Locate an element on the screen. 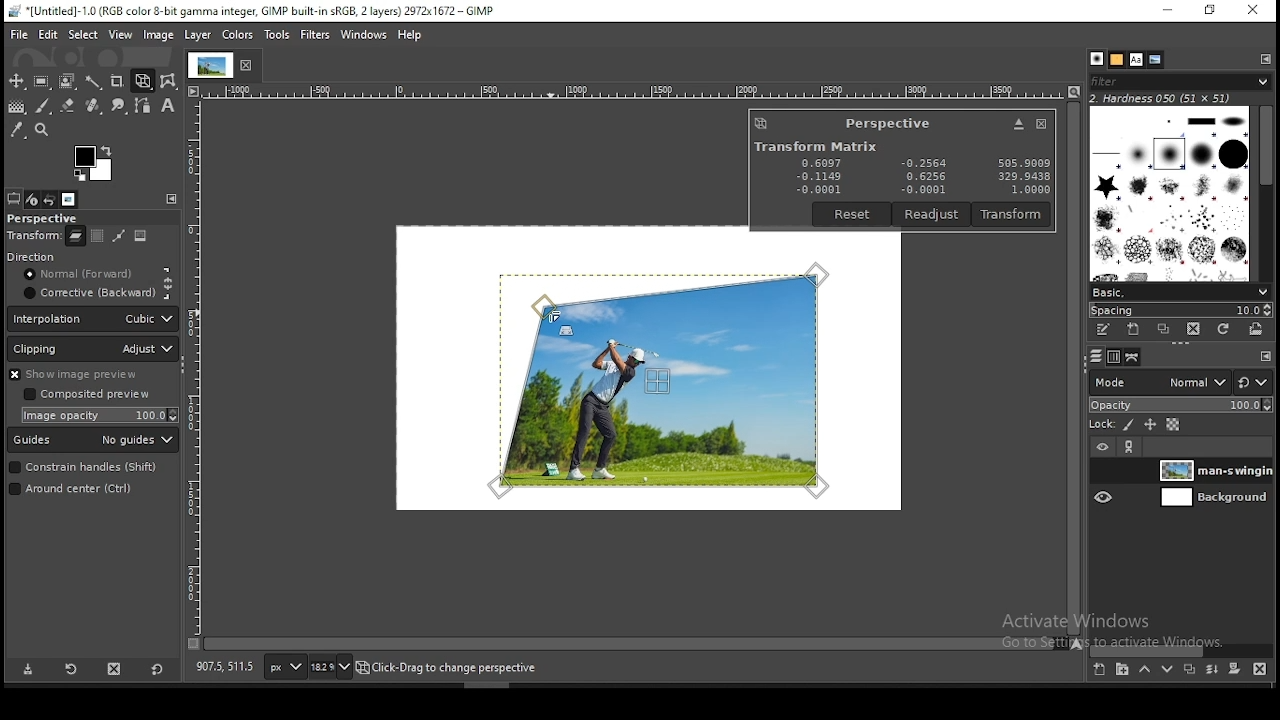 Image resolution: width=1280 pixels, height=720 pixels. image is located at coordinates (235, 34).